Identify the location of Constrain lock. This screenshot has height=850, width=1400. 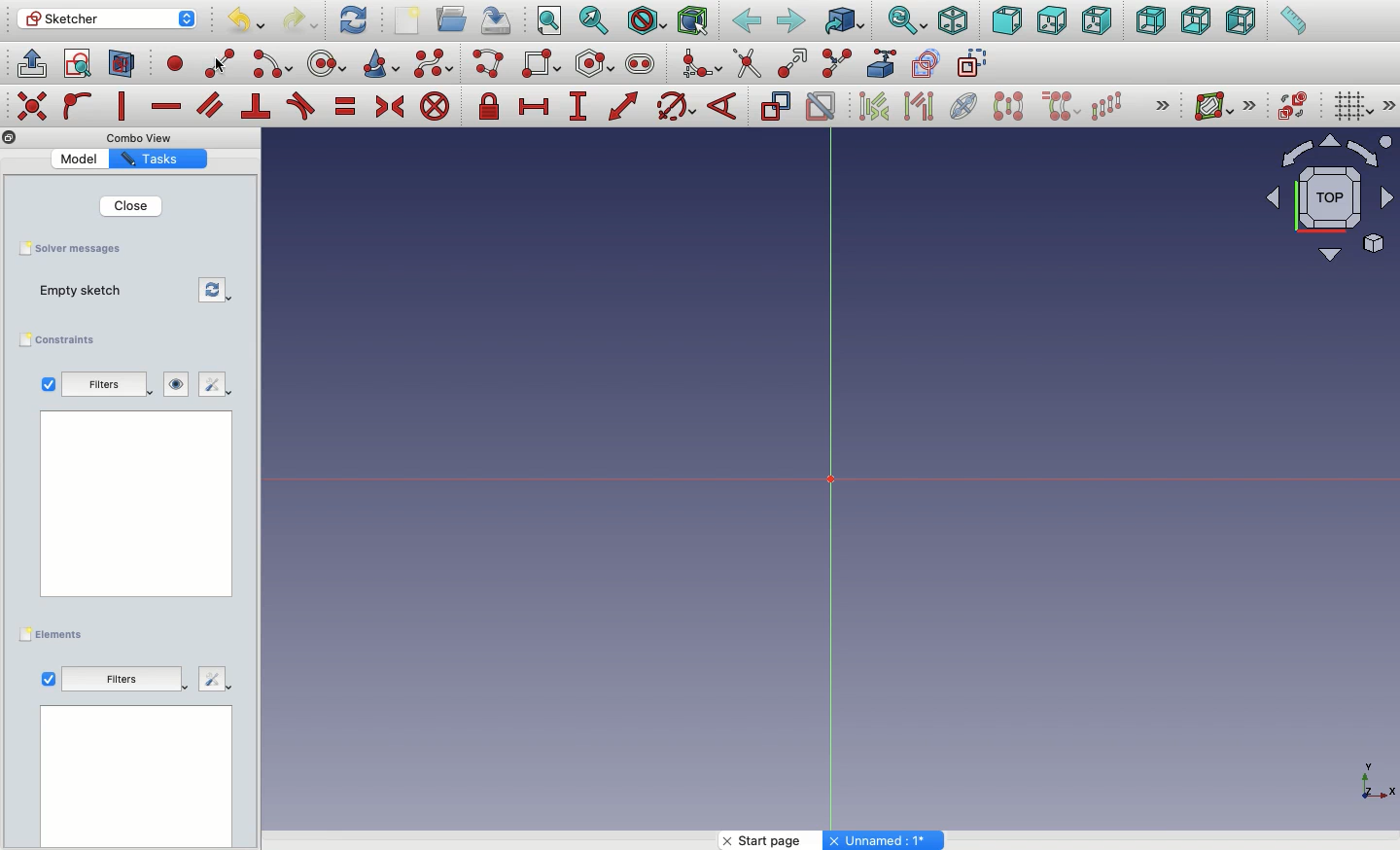
(492, 106).